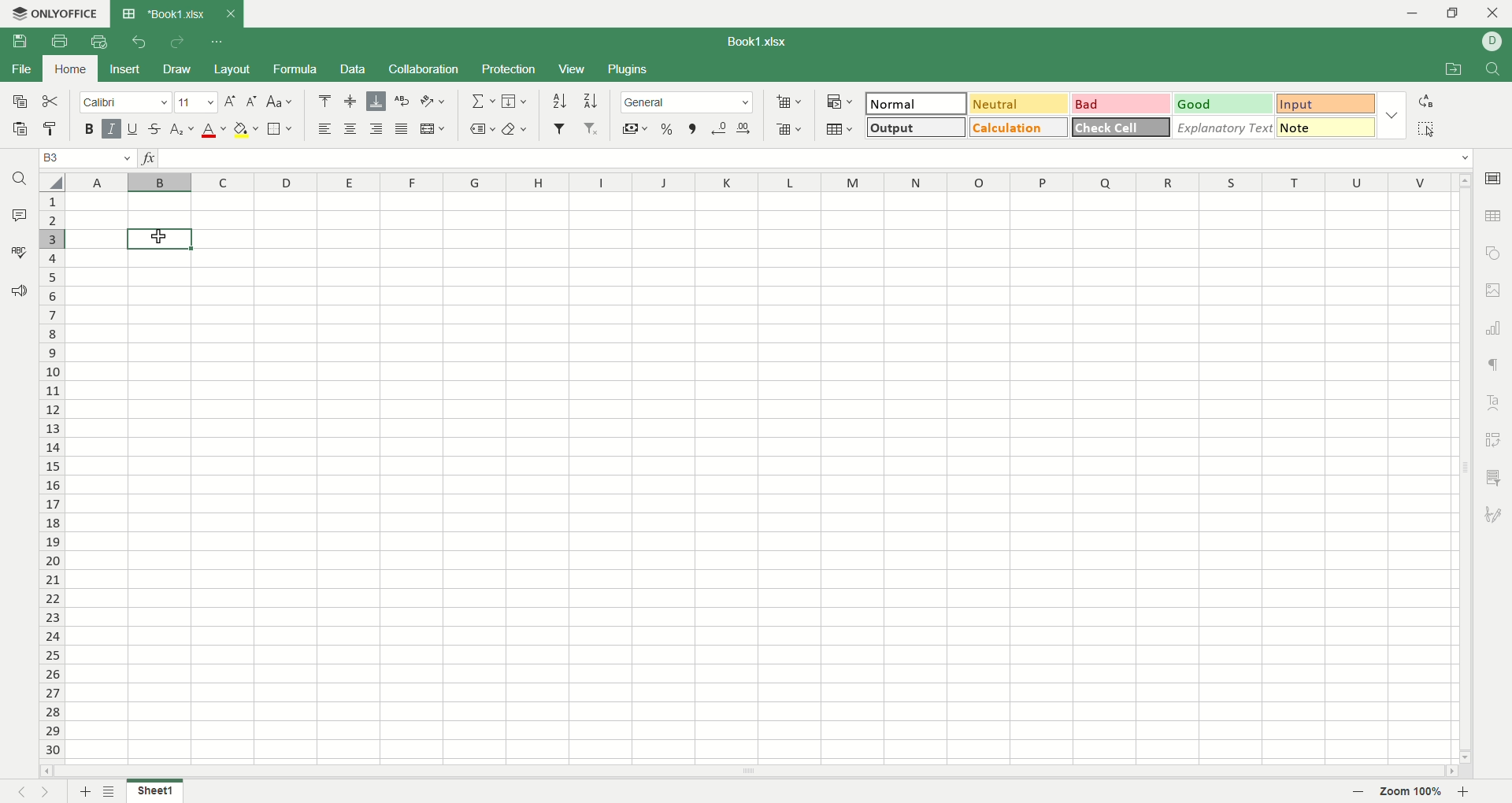 This screenshot has width=1512, height=803. What do you see at coordinates (517, 100) in the screenshot?
I see `fill` at bounding box center [517, 100].